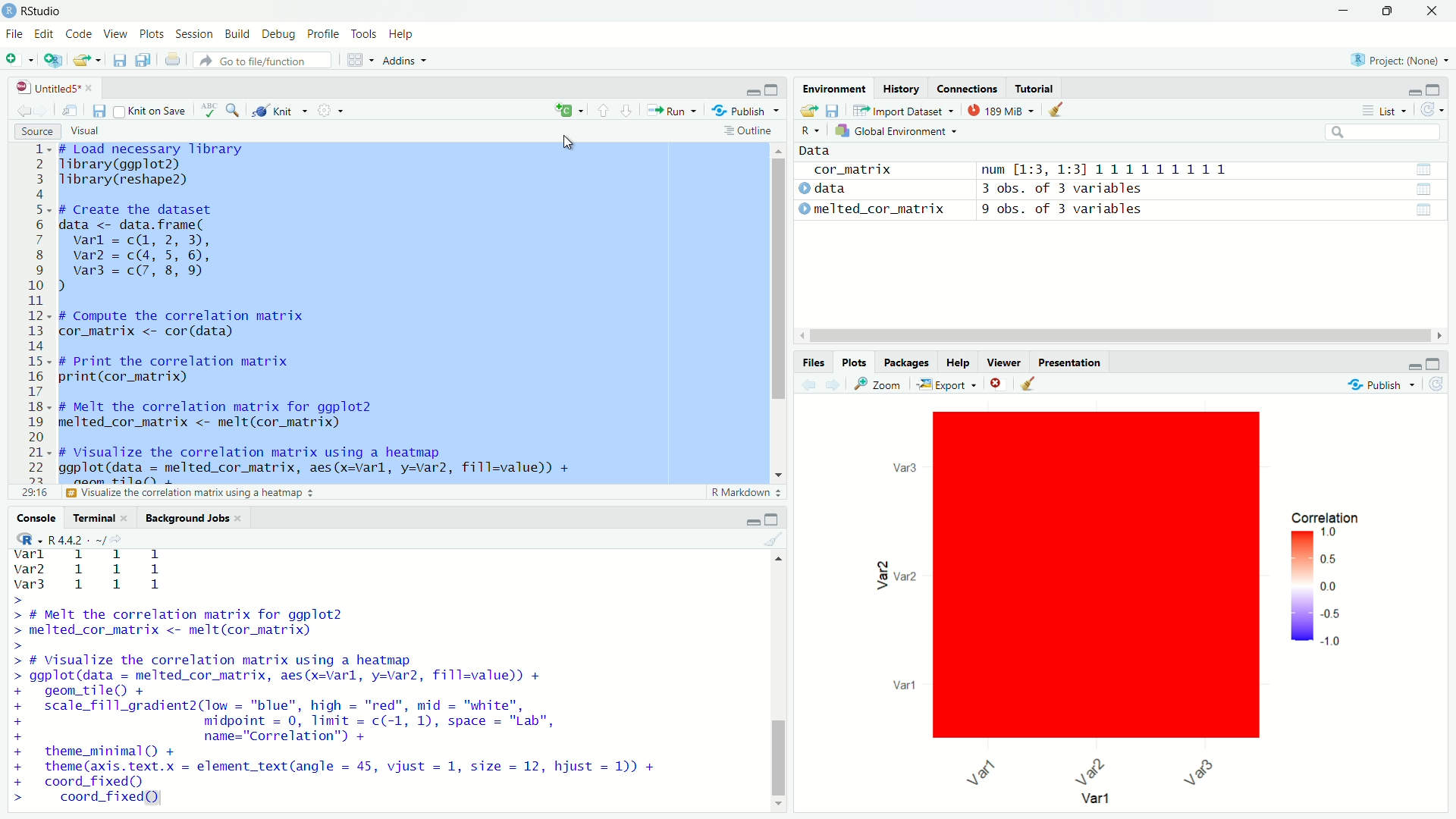 This screenshot has height=819, width=1456. Describe the element at coordinates (208, 110) in the screenshot. I see `spelling check` at that location.